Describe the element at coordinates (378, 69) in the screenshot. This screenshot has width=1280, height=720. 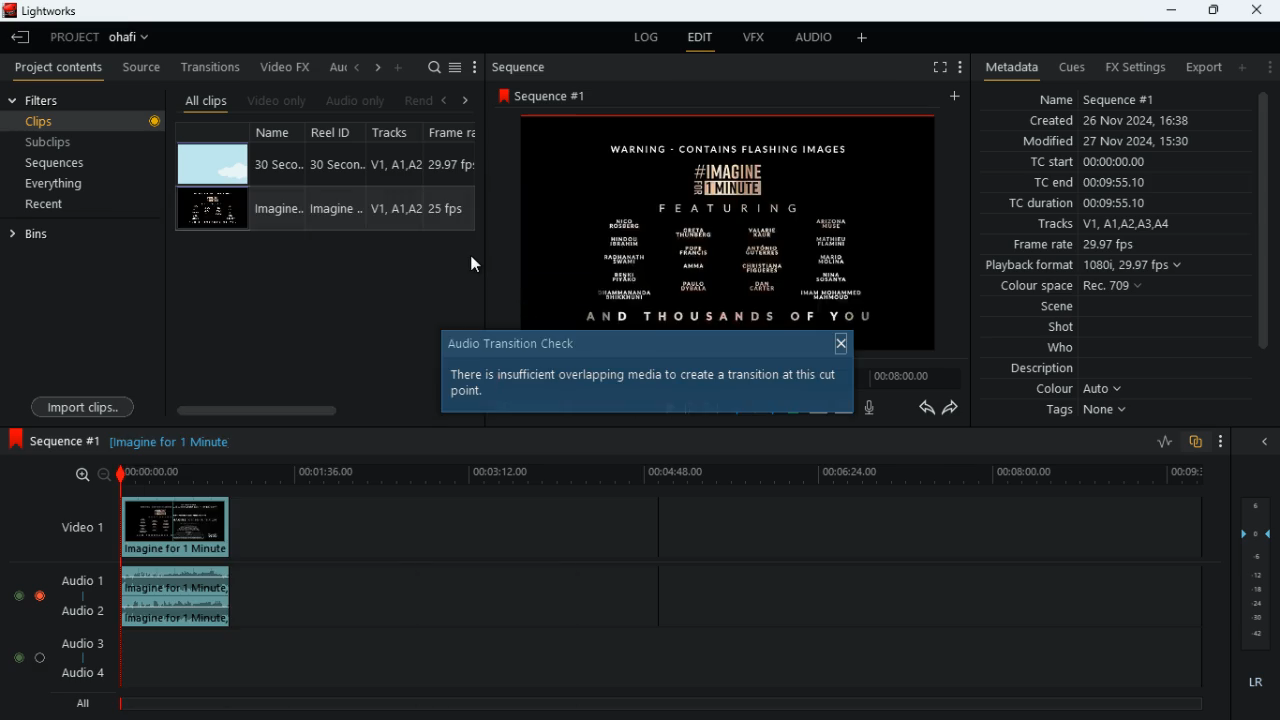
I see `right` at that location.